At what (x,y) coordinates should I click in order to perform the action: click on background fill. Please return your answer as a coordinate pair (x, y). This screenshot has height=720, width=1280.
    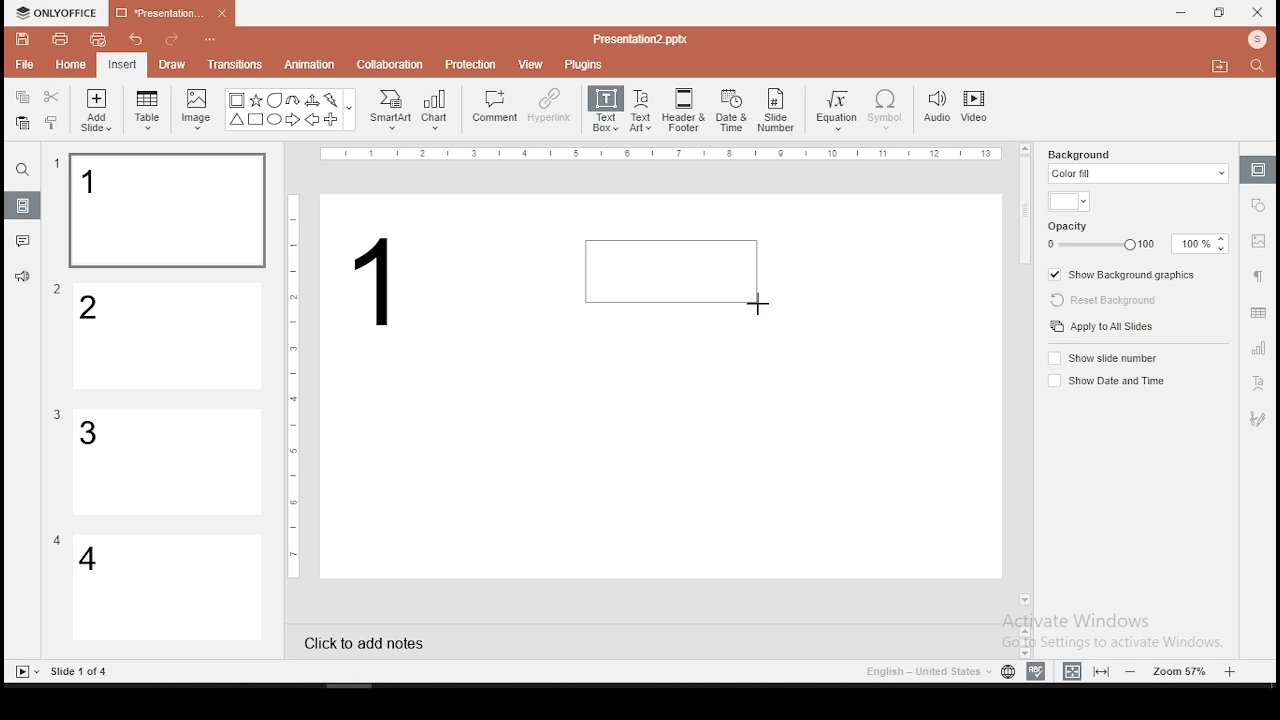
    Looking at the image, I should click on (1136, 164).